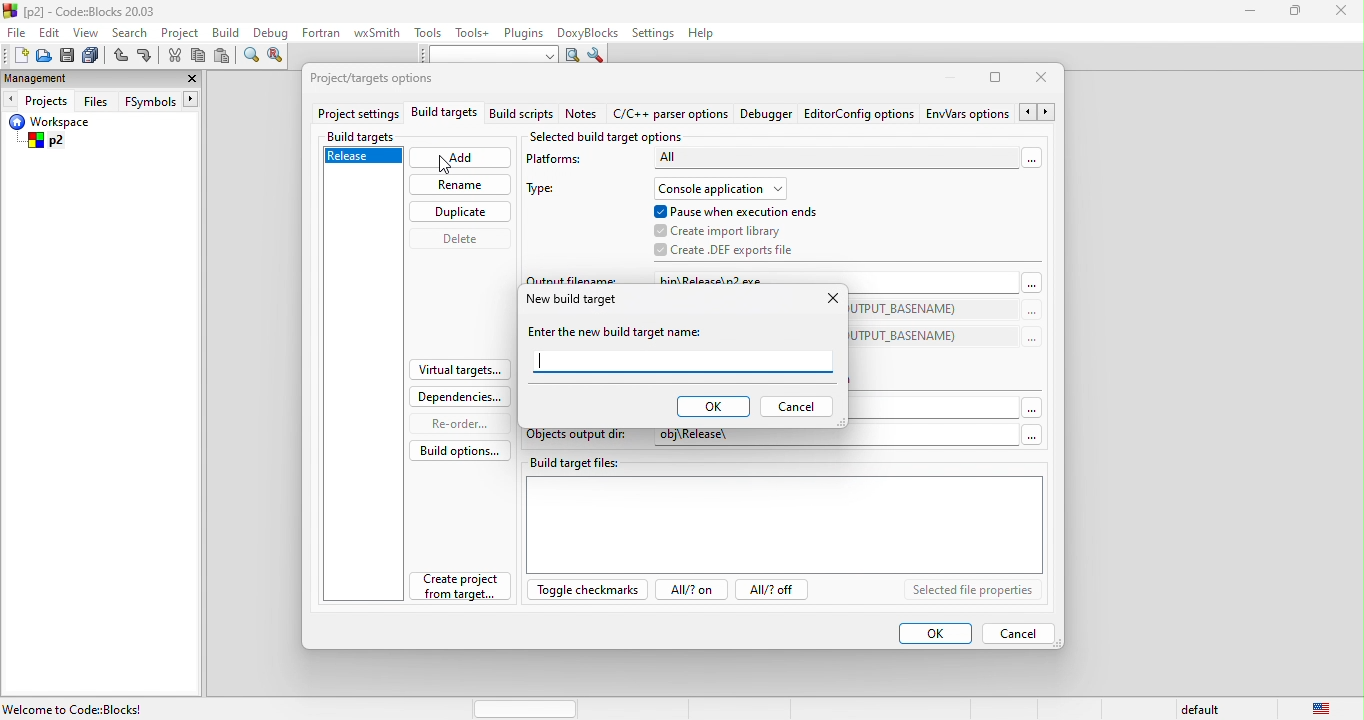  What do you see at coordinates (200, 58) in the screenshot?
I see `copy` at bounding box center [200, 58].